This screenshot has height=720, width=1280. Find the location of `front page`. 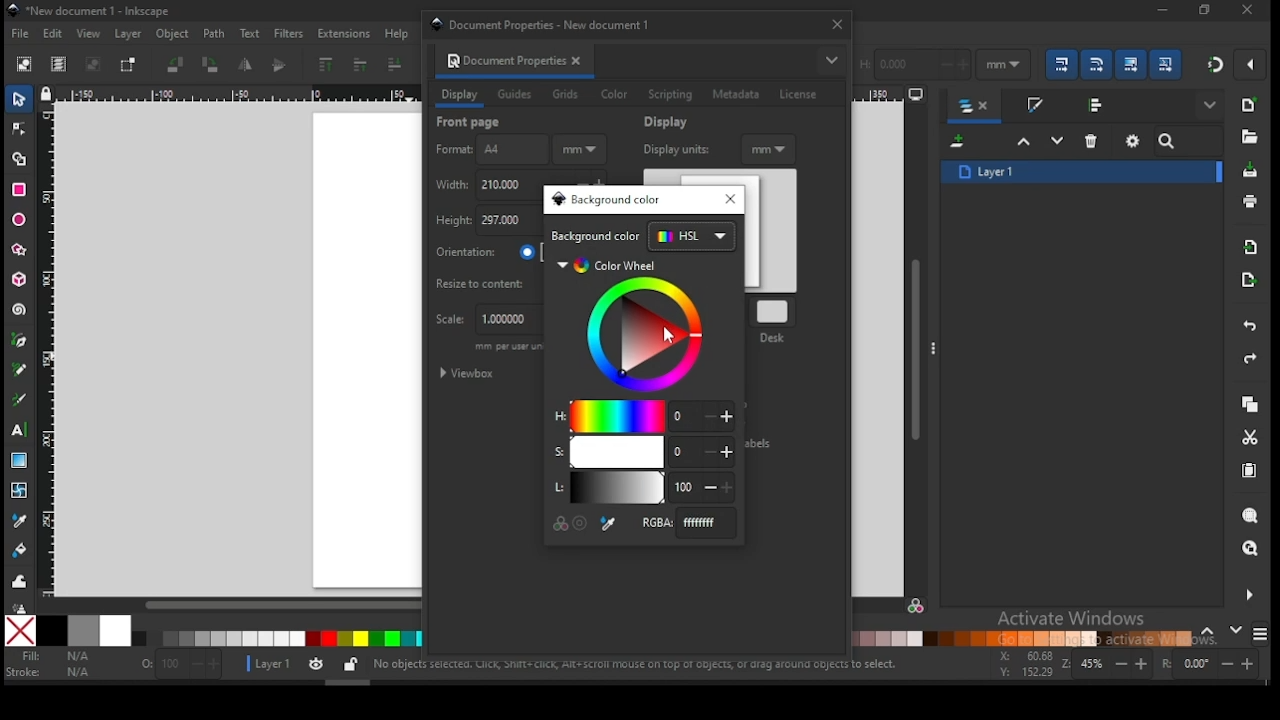

front page is located at coordinates (470, 122).